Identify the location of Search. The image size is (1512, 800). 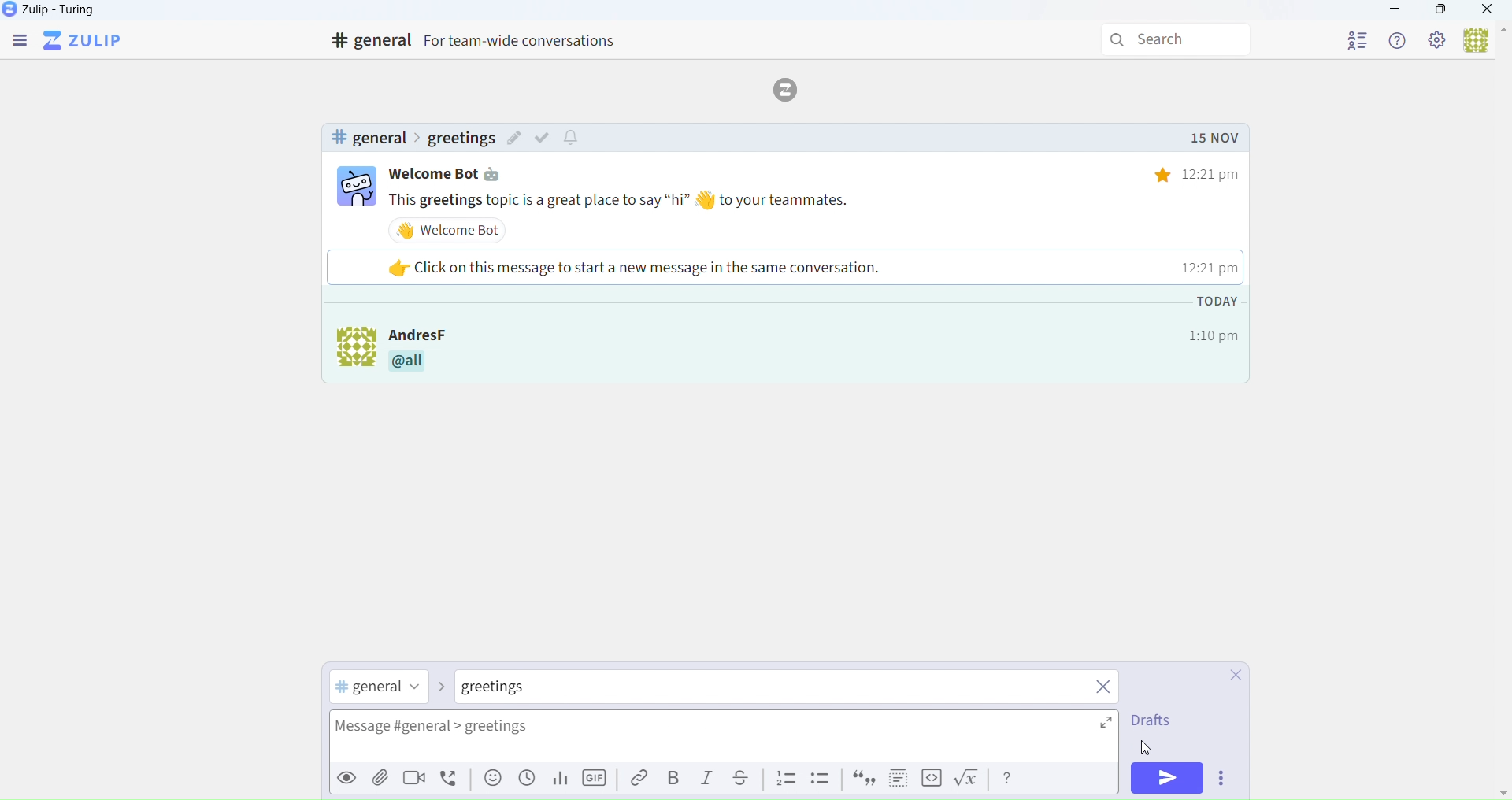
(1179, 40).